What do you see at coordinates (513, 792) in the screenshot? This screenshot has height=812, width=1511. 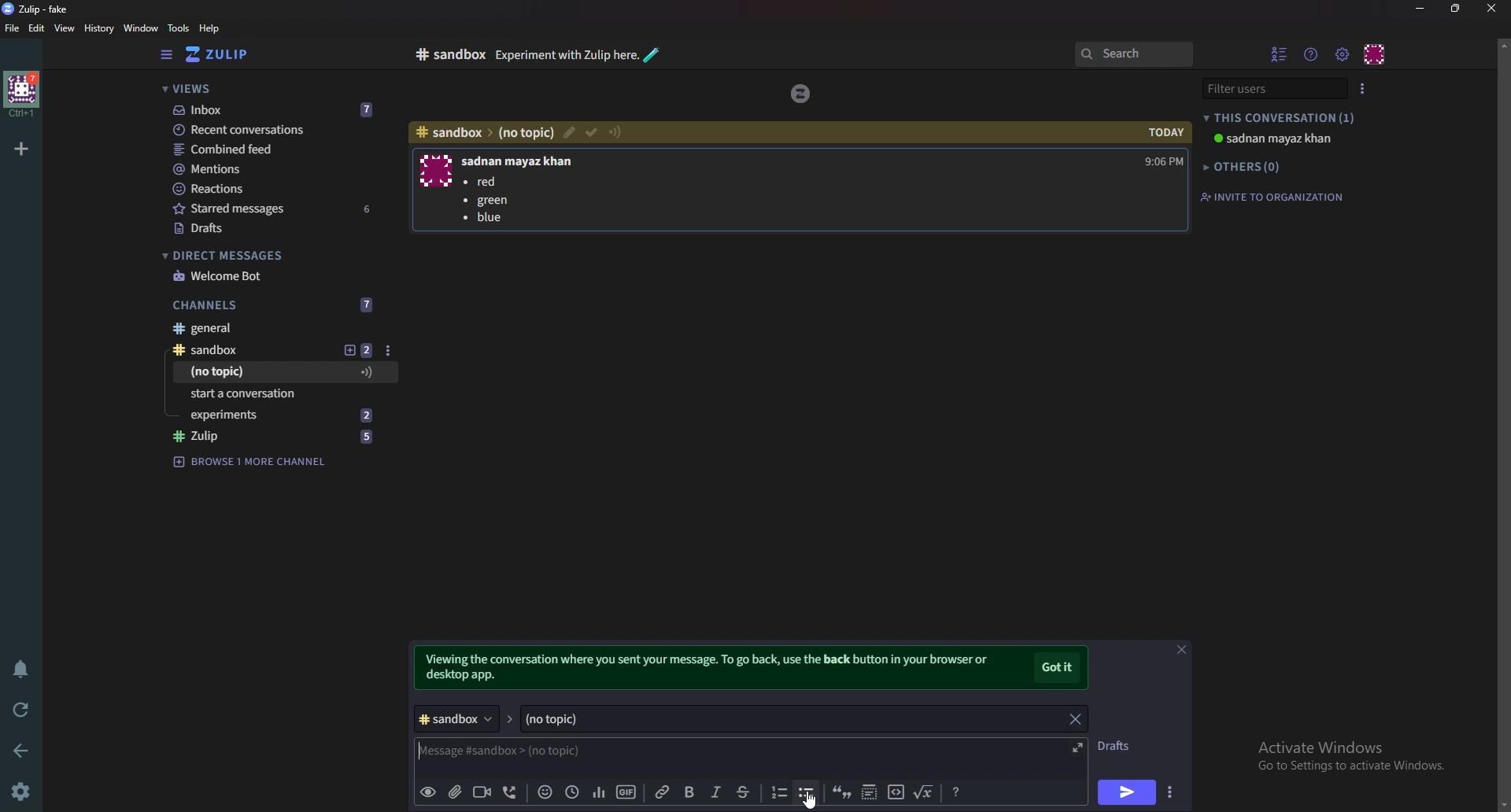 I see `Voice call` at bounding box center [513, 792].